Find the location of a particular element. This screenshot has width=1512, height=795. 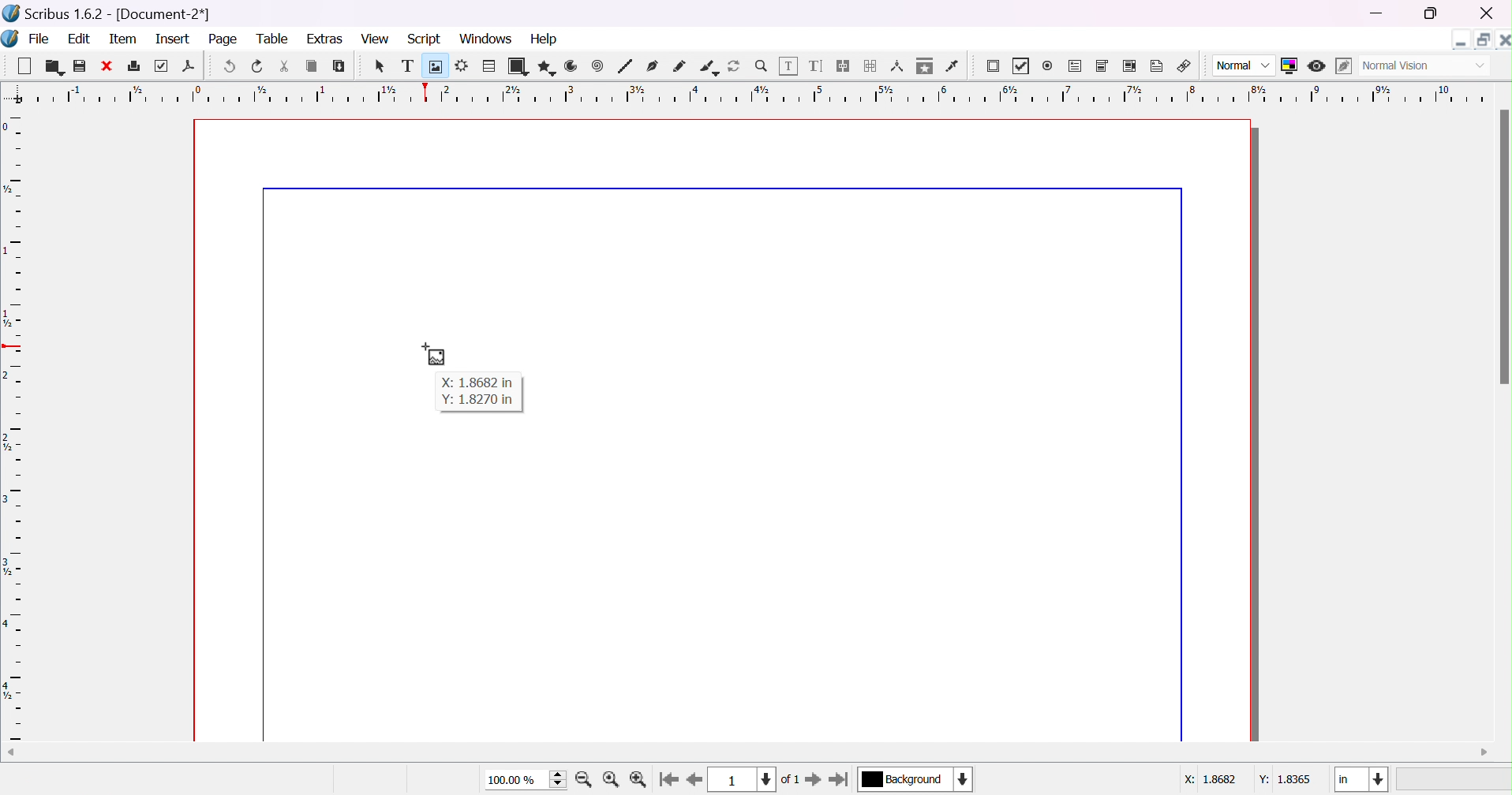

ruler is located at coordinates (13, 427).